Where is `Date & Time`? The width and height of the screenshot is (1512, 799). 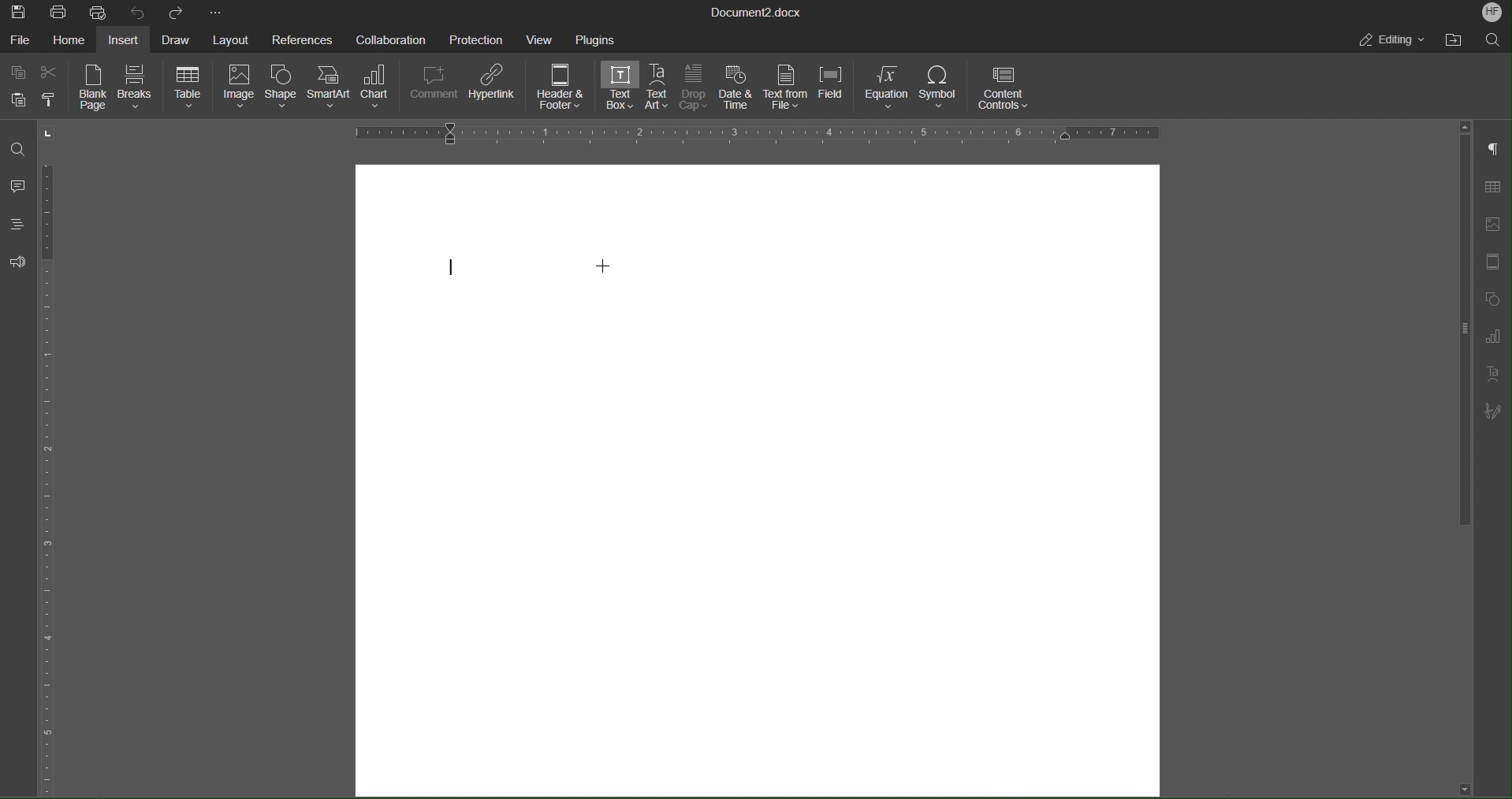 Date & Time is located at coordinates (736, 88).